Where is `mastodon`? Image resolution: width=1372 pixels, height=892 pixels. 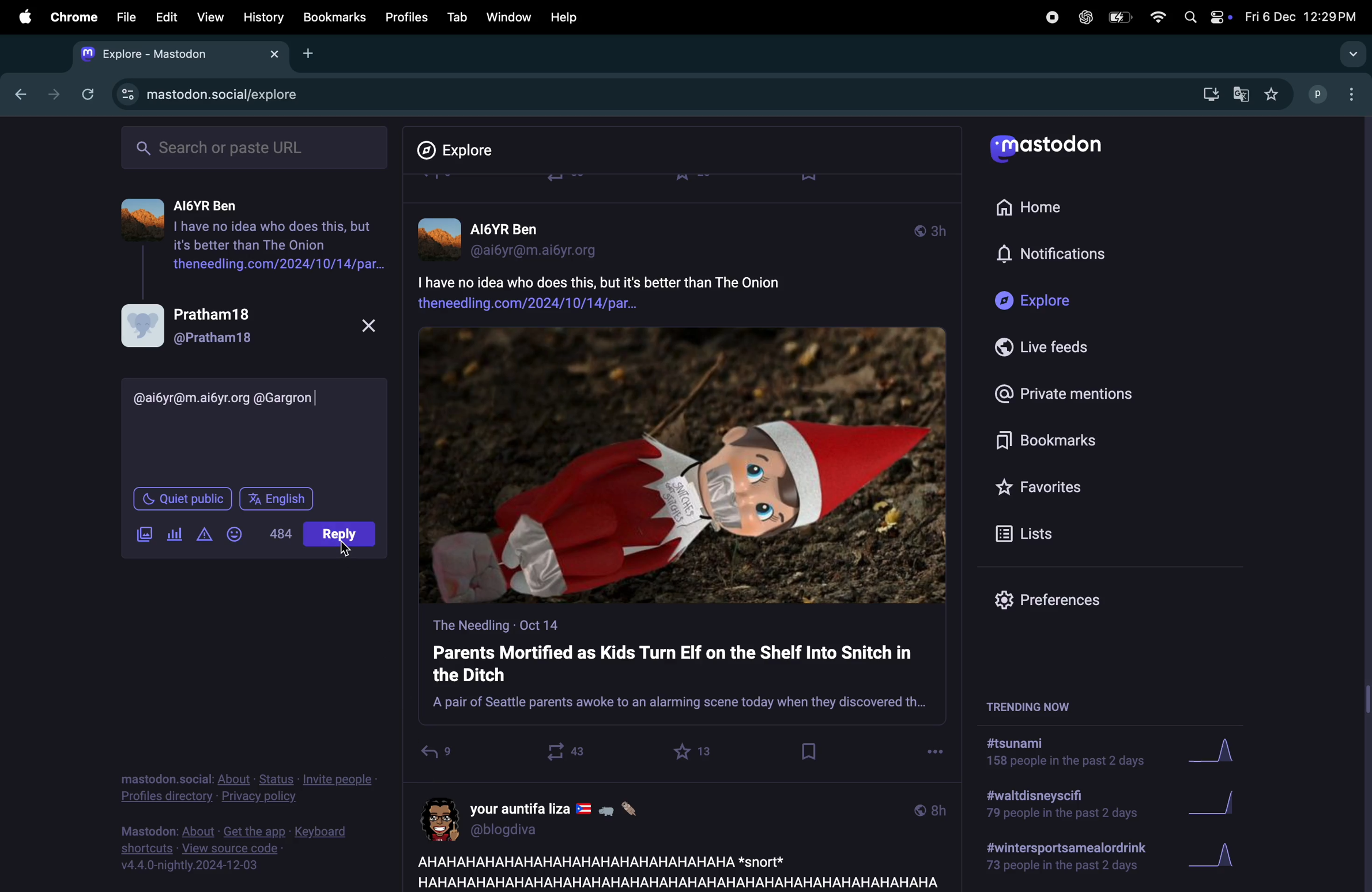 mastodon is located at coordinates (1051, 150).